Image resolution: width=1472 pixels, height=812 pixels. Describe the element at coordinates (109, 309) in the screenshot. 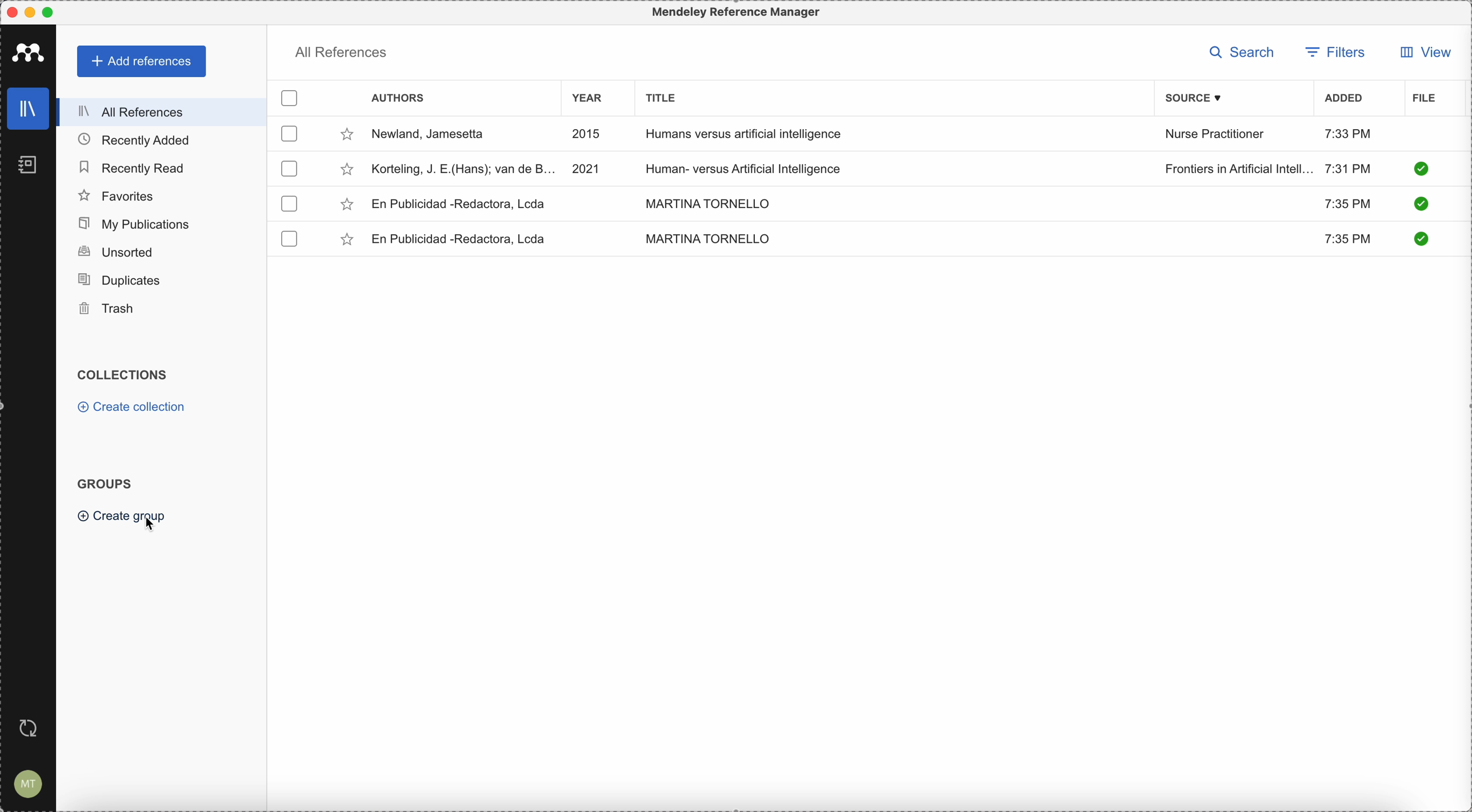

I see `trash` at that location.